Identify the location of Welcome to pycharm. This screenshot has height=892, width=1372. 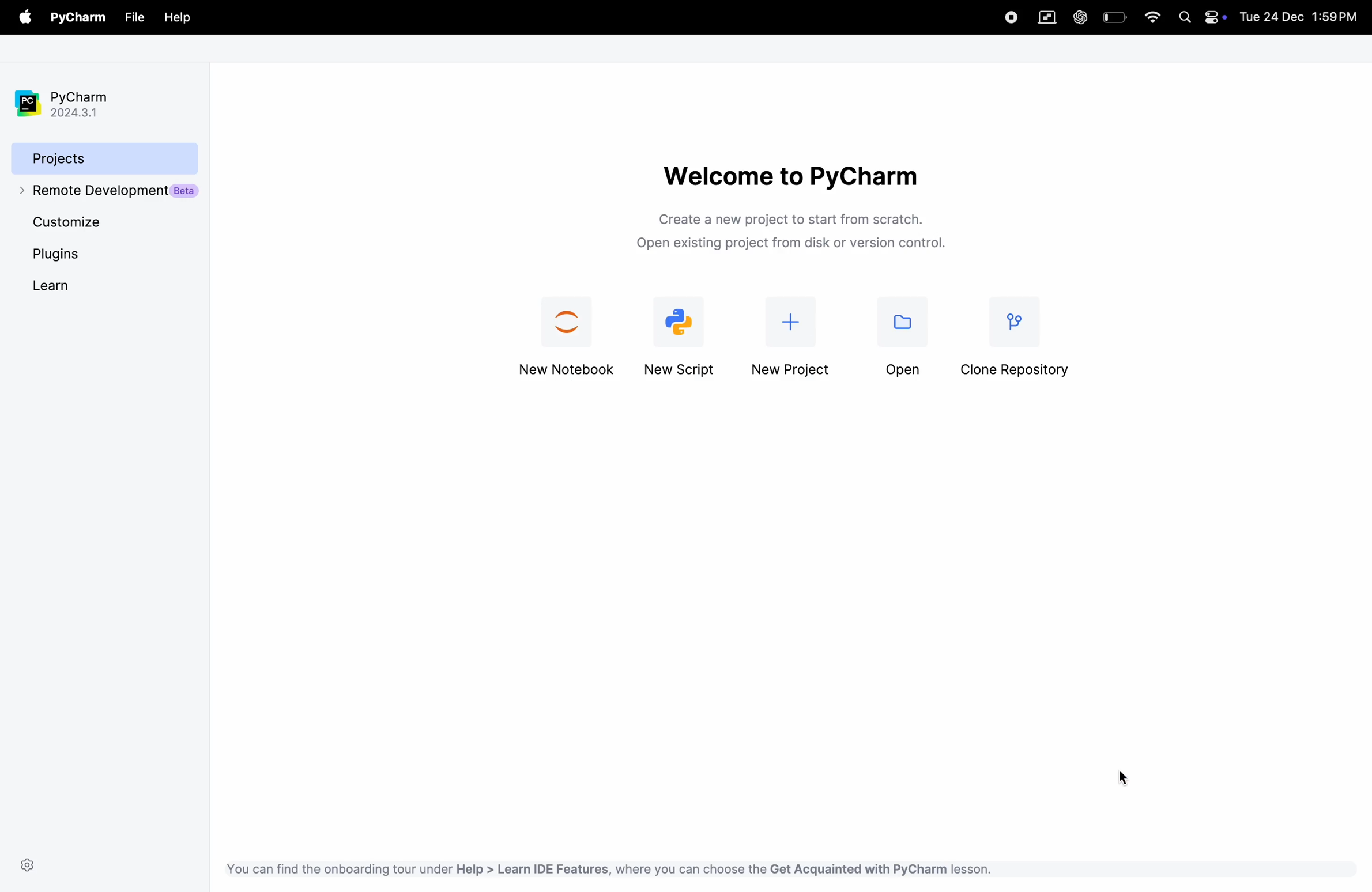
(797, 169).